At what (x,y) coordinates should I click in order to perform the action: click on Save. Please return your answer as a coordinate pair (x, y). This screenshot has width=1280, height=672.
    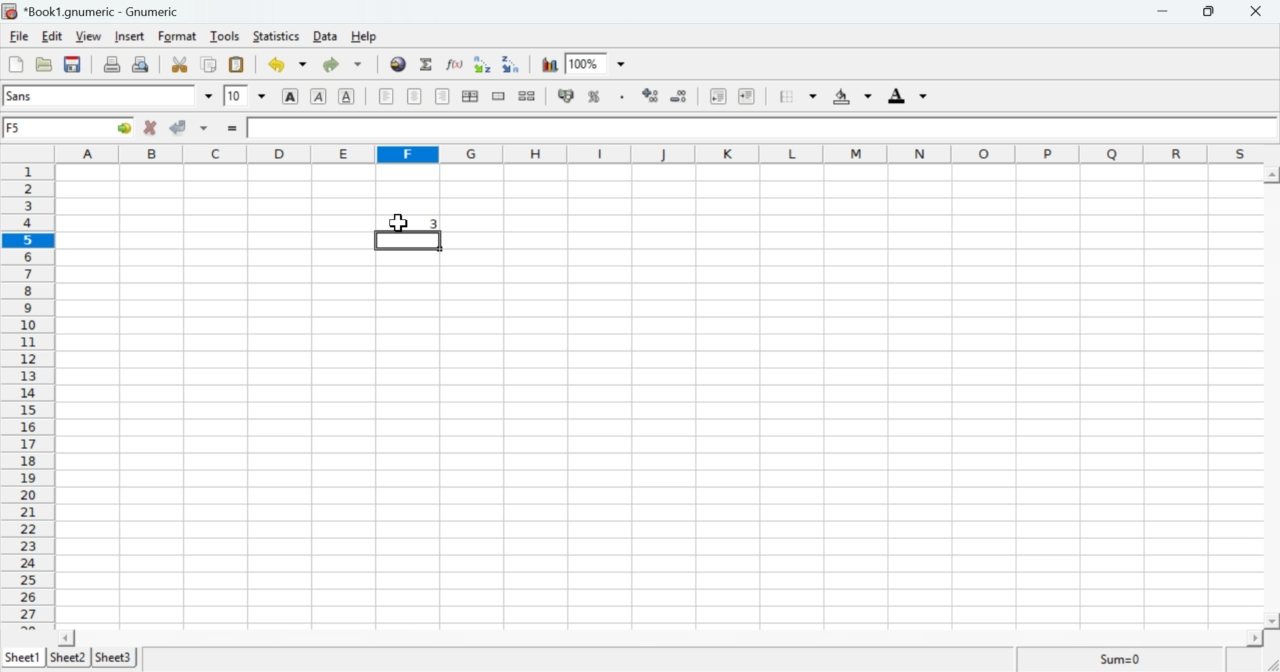
    Looking at the image, I should click on (73, 64).